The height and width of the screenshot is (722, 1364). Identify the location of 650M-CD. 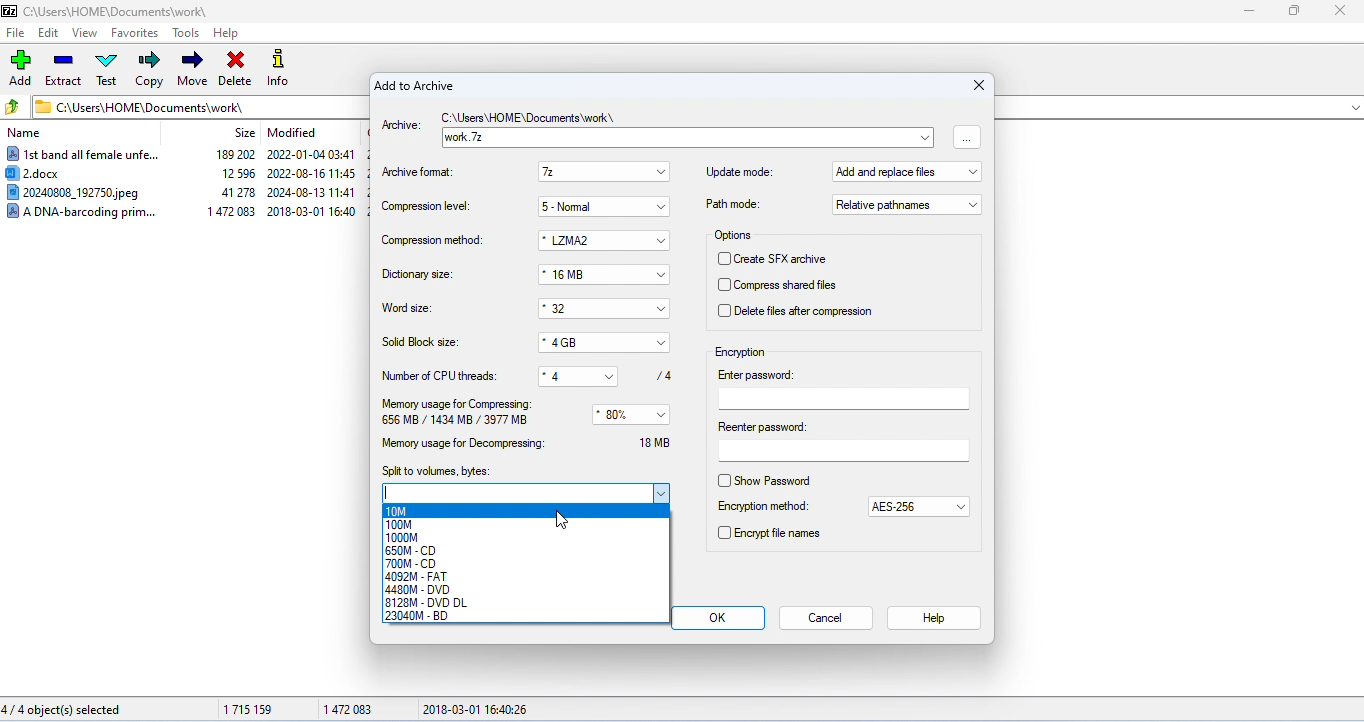
(411, 550).